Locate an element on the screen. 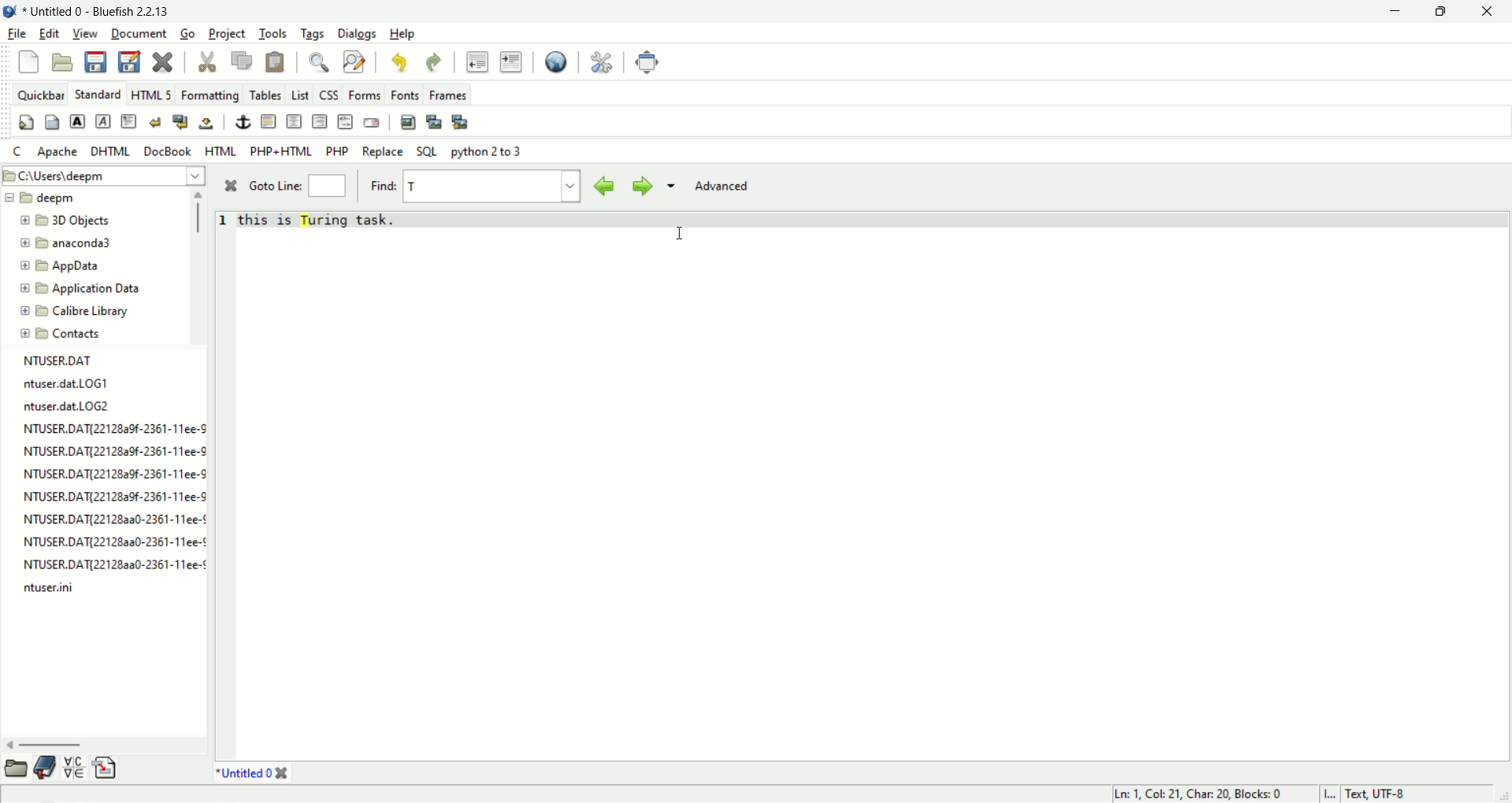 This screenshot has width=1512, height=803. file path is located at coordinates (105, 176).